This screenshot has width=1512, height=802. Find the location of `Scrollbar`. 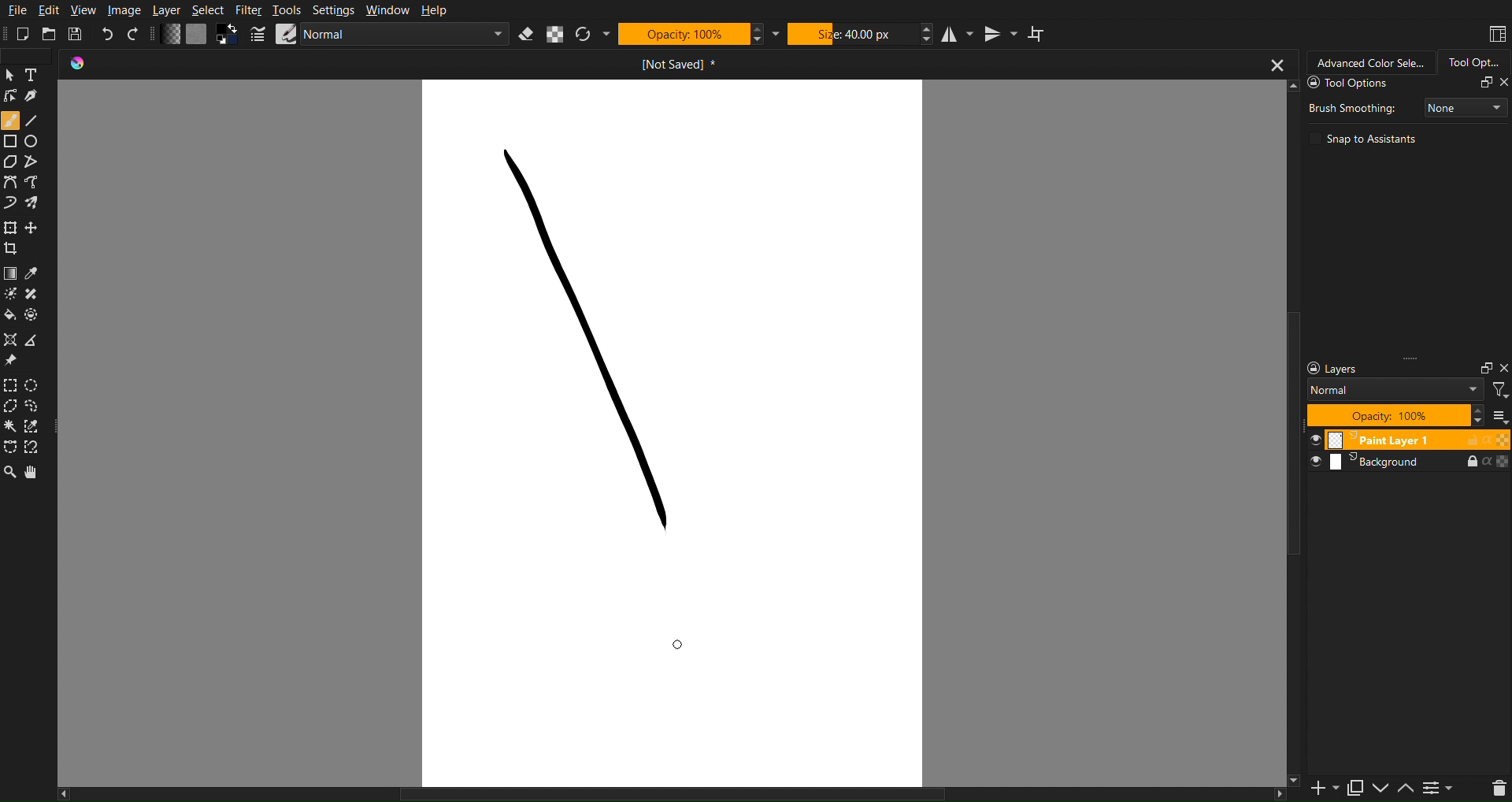

Scrollbar is located at coordinates (681, 794).